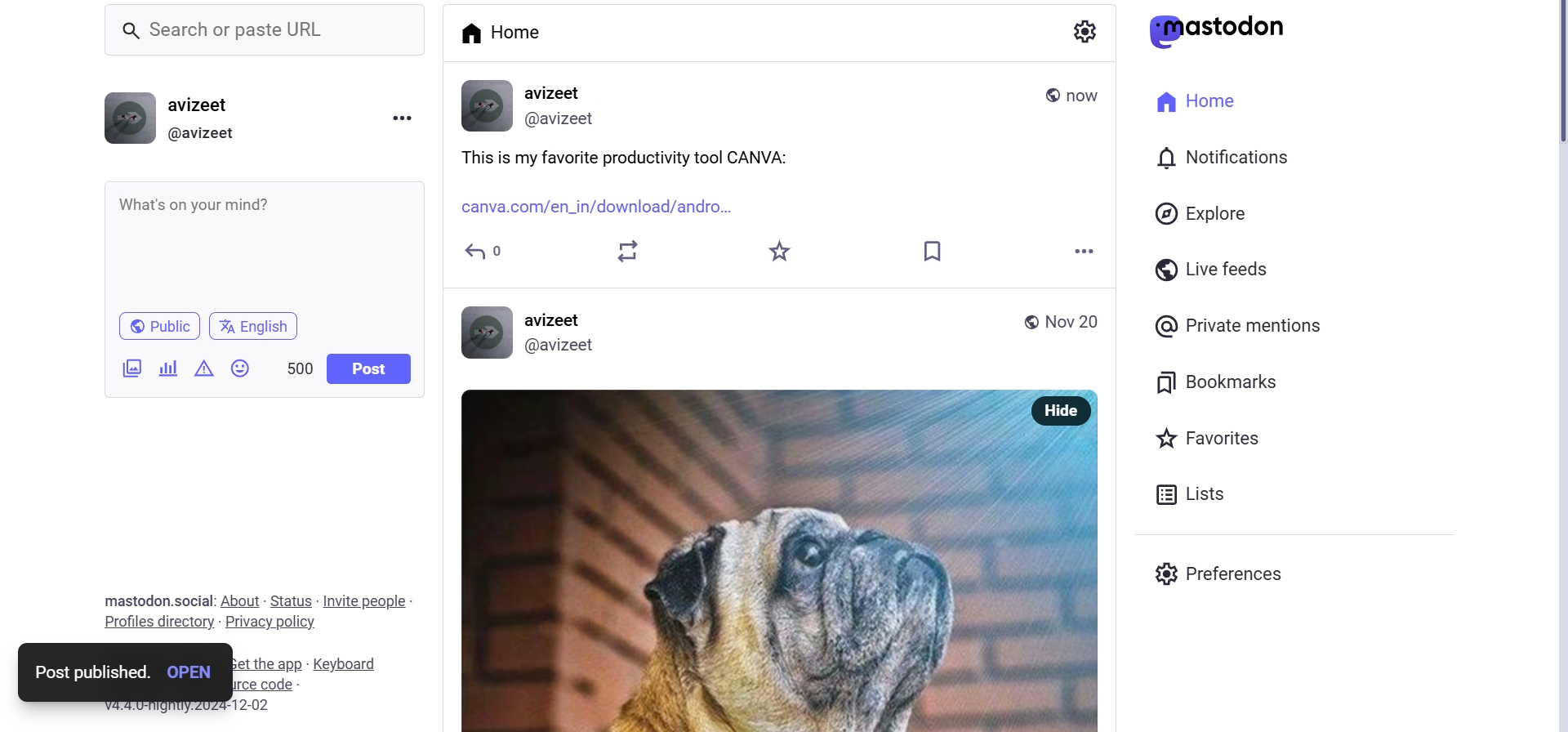  What do you see at coordinates (559, 320) in the screenshot?
I see `avizeet` at bounding box center [559, 320].